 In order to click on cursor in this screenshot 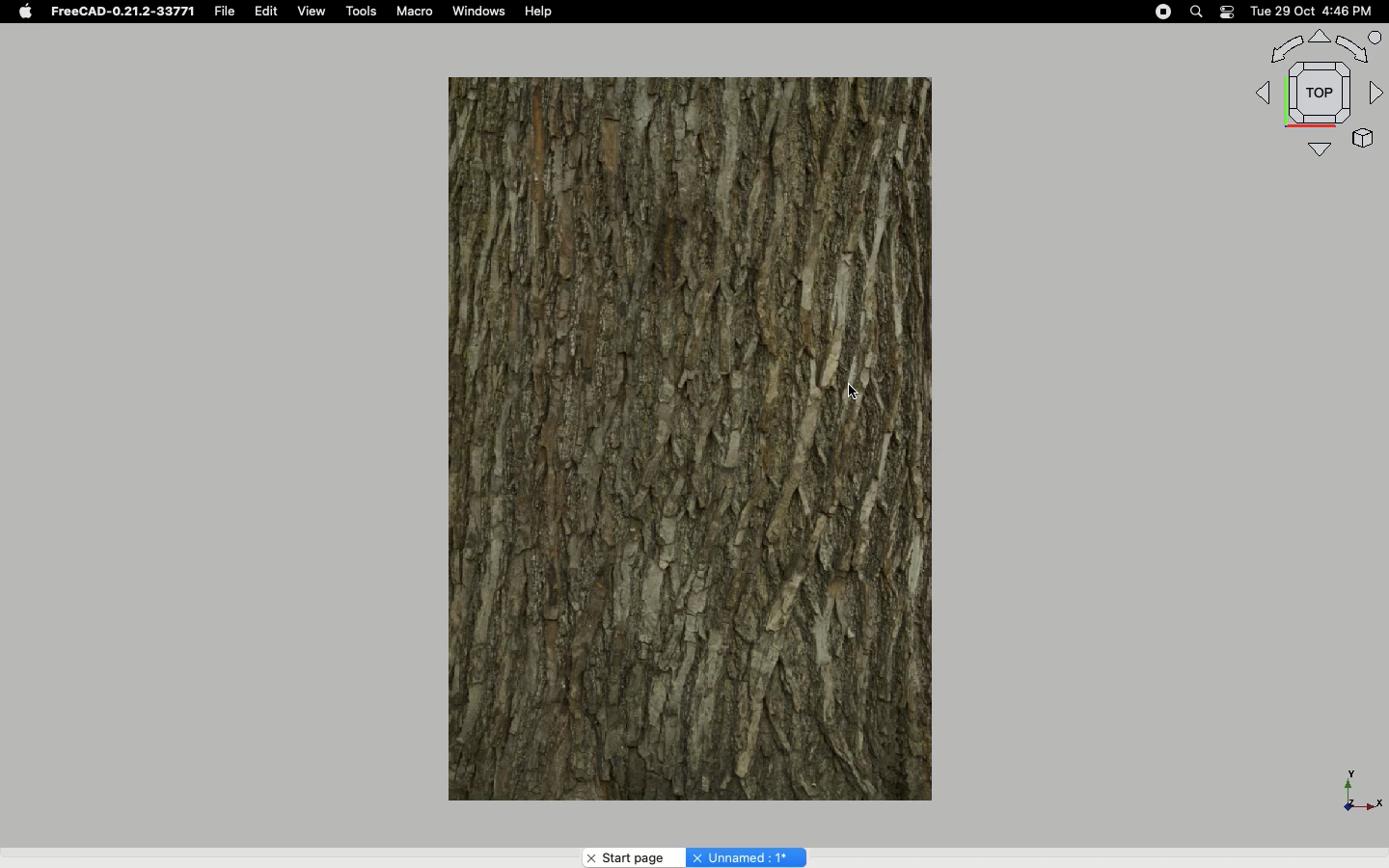, I will do `click(858, 390)`.